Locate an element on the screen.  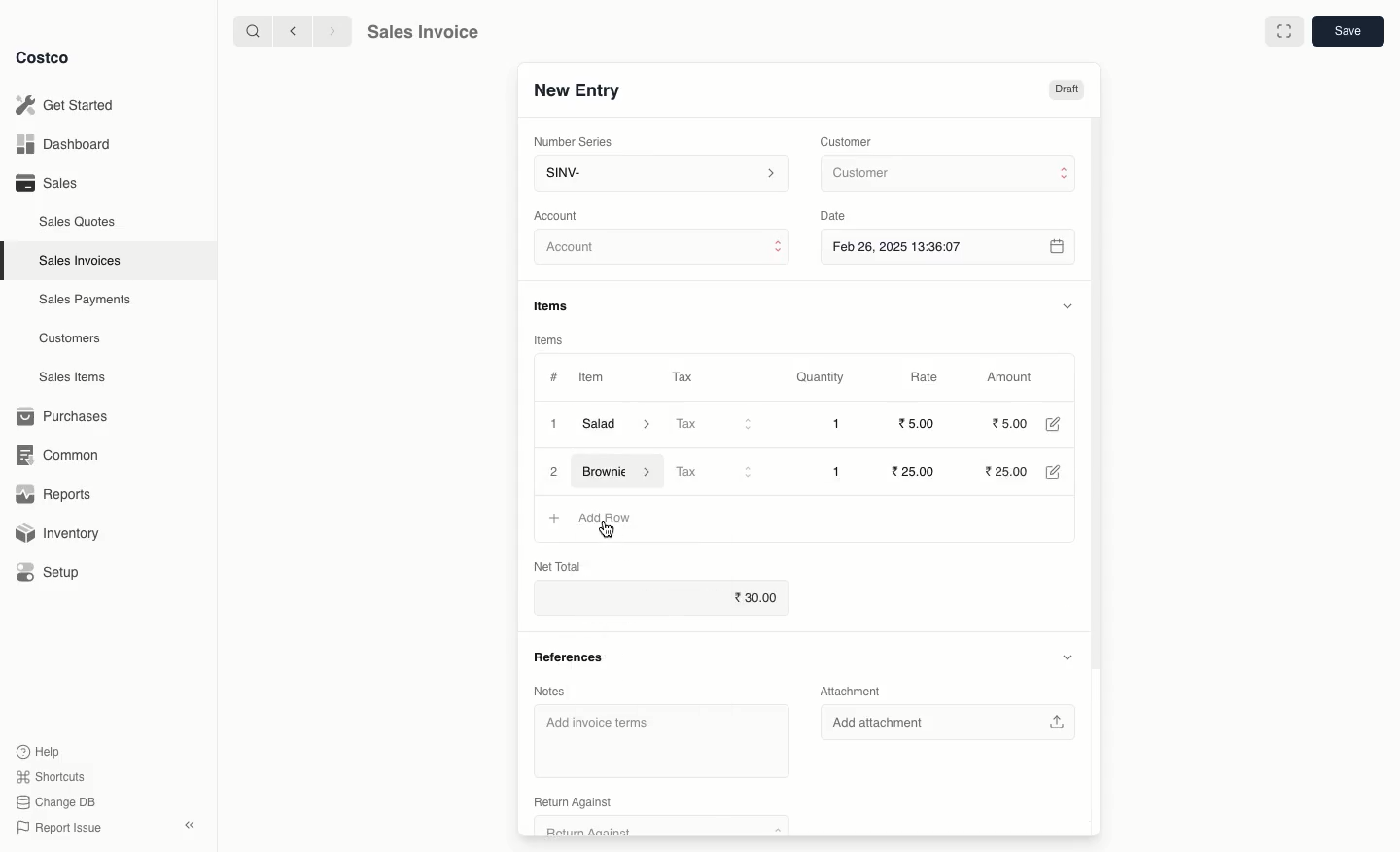
Reports is located at coordinates (54, 496).